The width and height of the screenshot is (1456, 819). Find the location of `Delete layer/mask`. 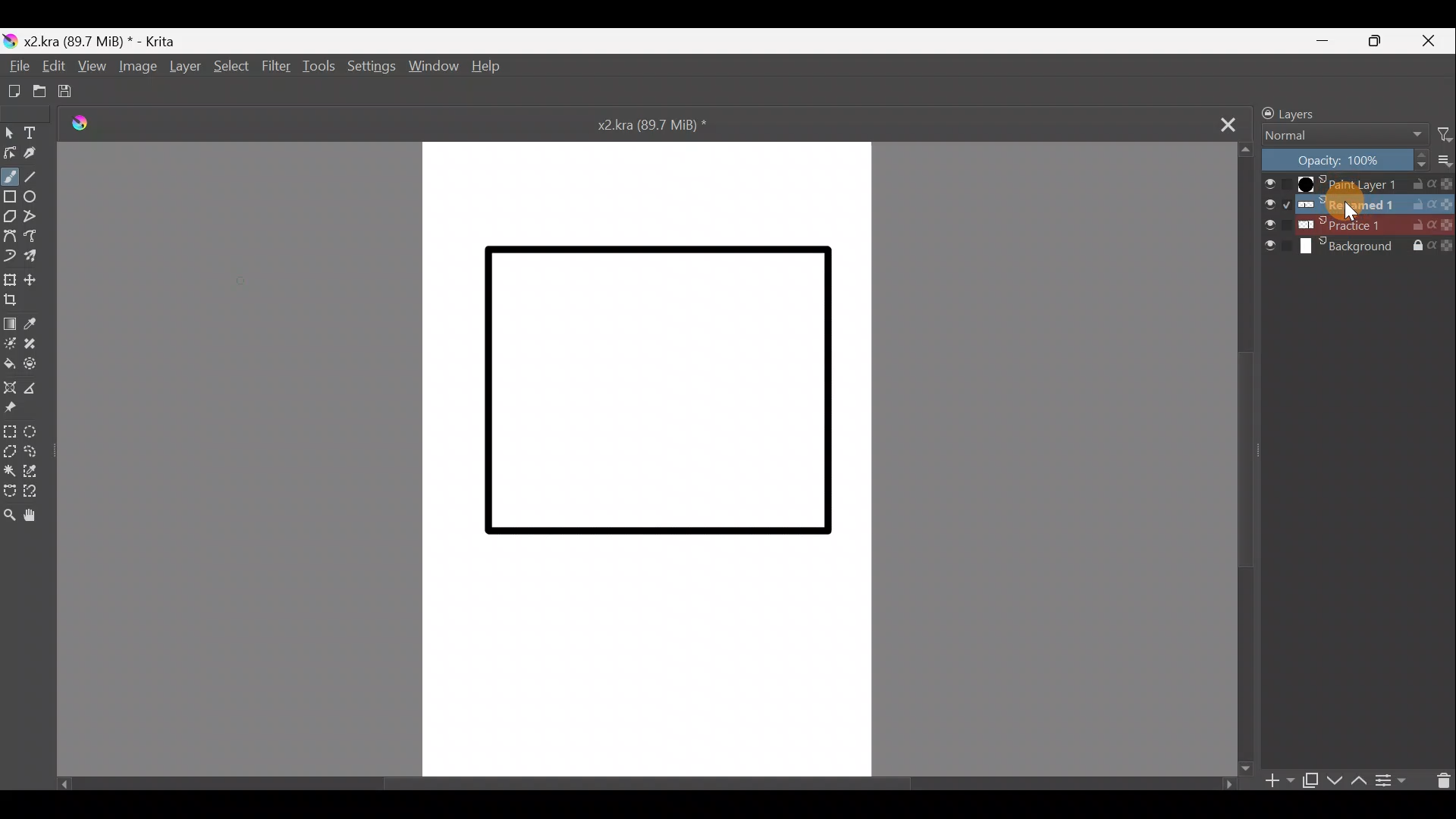

Delete layer/mask is located at coordinates (1439, 779).